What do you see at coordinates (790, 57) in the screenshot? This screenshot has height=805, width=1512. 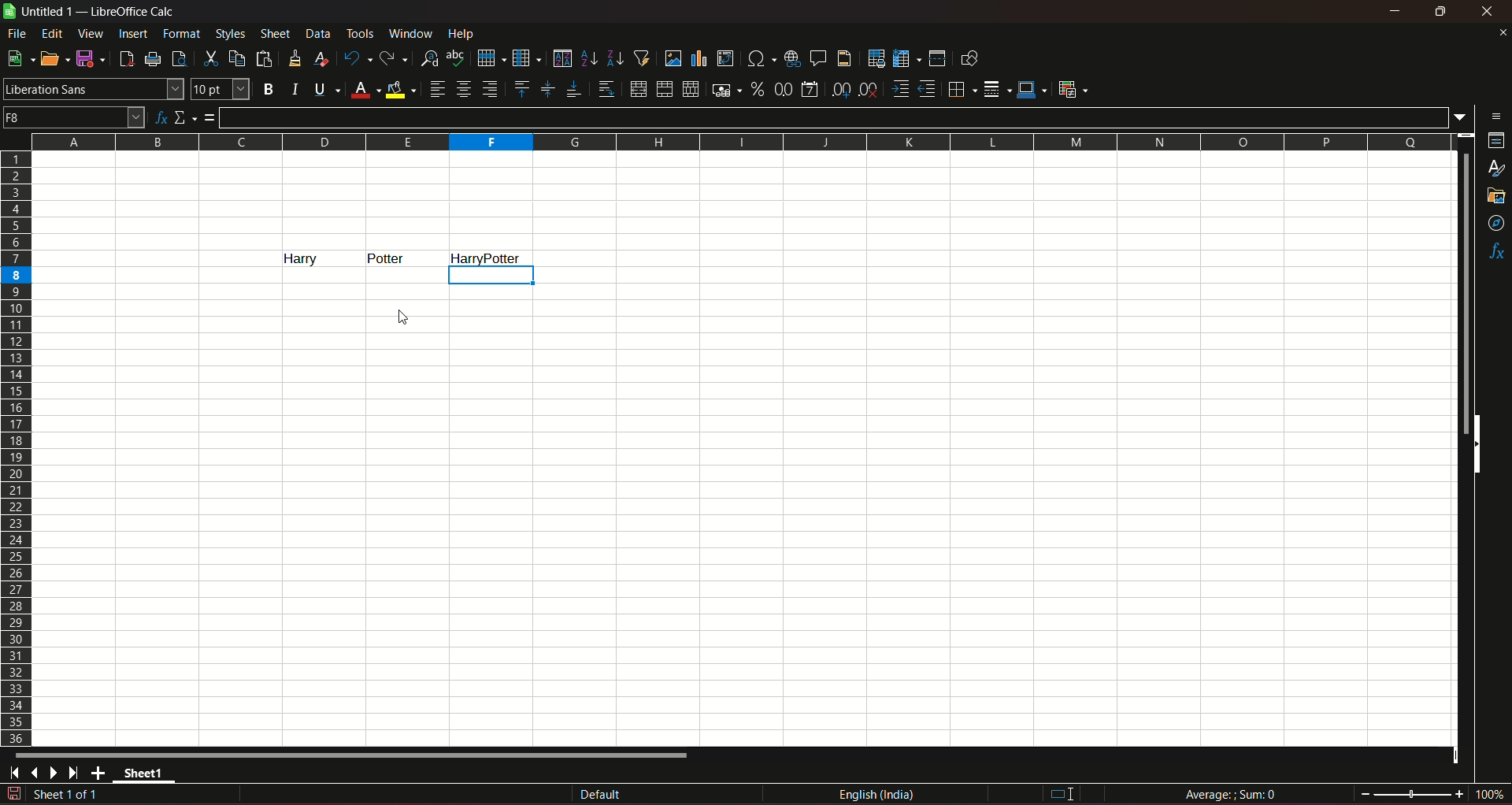 I see `insert hyperlink` at bounding box center [790, 57].